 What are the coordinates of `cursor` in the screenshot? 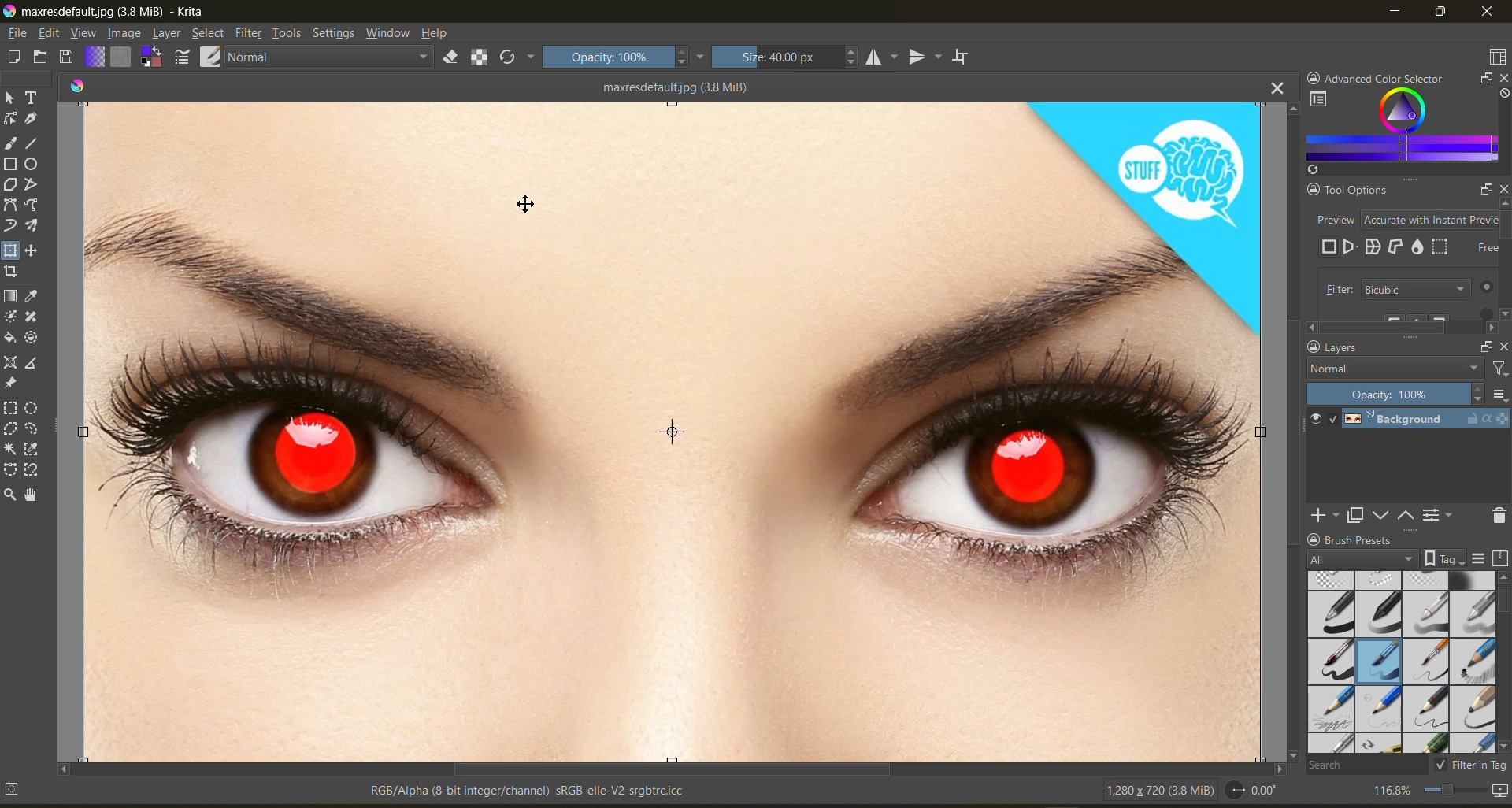 It's located at (524, 204).